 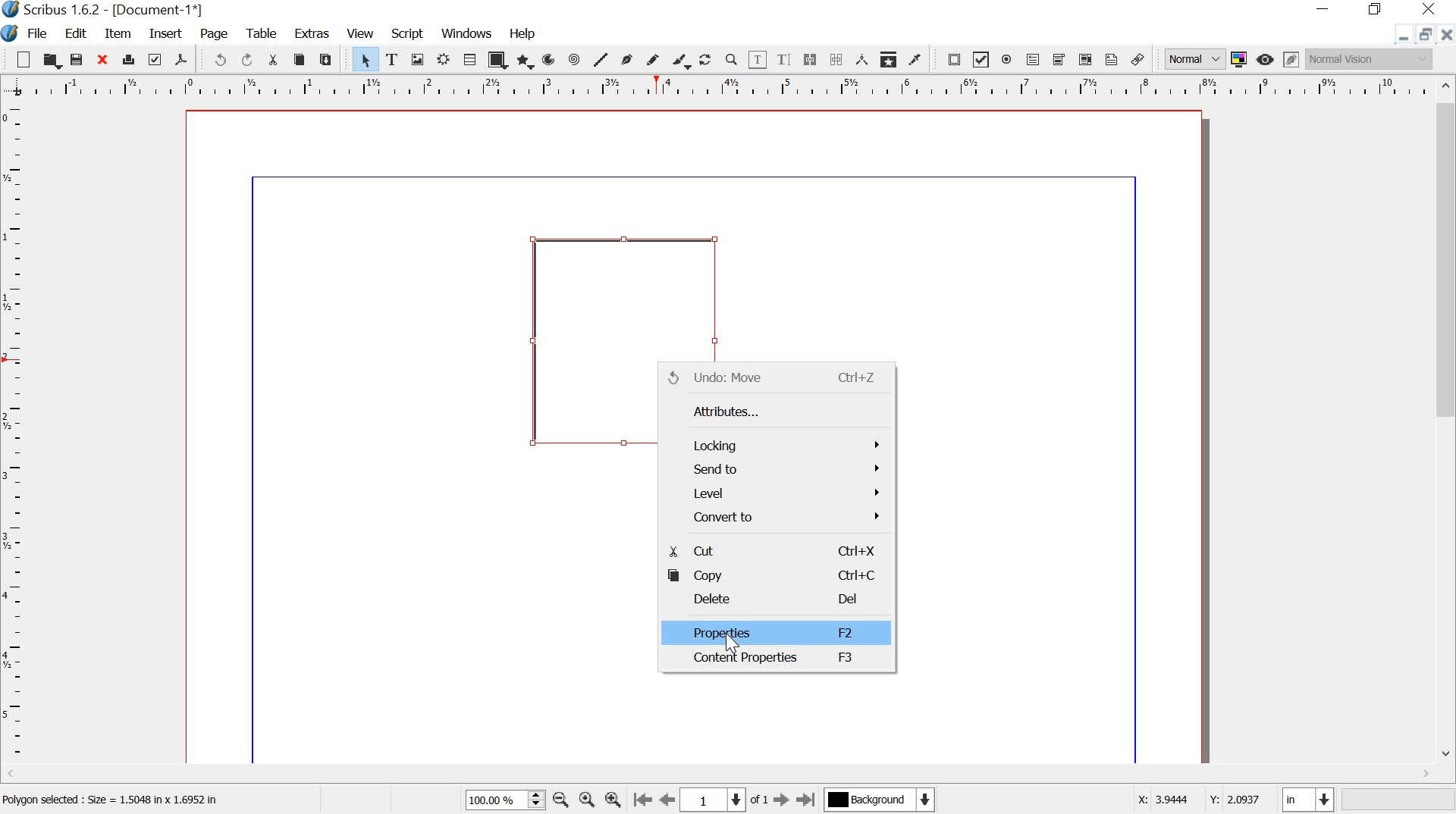 What do you see at coordinates (760, 803) in the screenshot?
I see `of 1` at bounding box center [760, 803].